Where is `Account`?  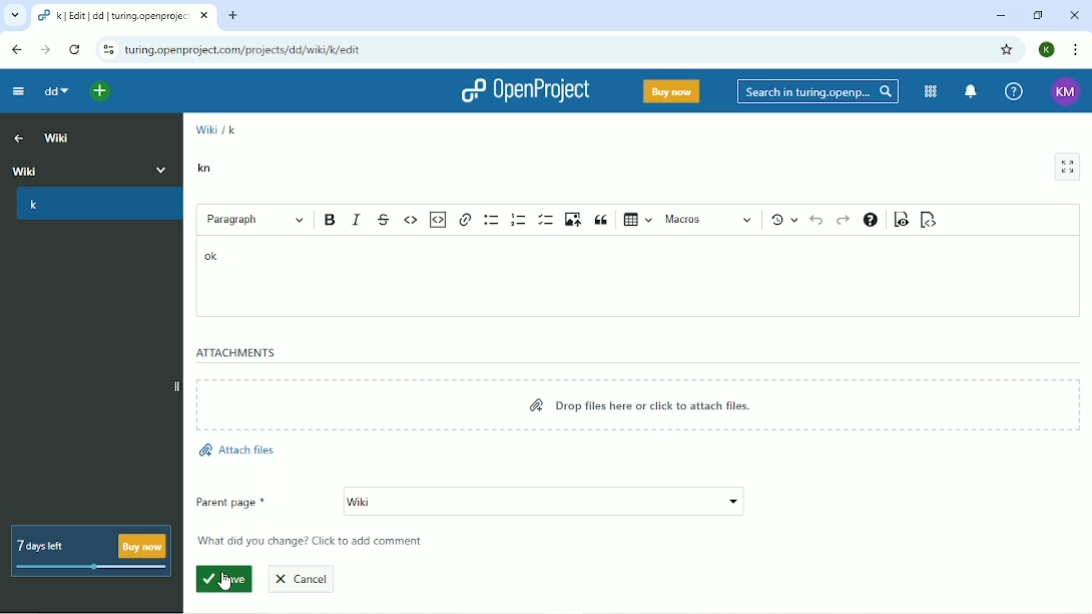
Account is located at coordinates (1065, 91).